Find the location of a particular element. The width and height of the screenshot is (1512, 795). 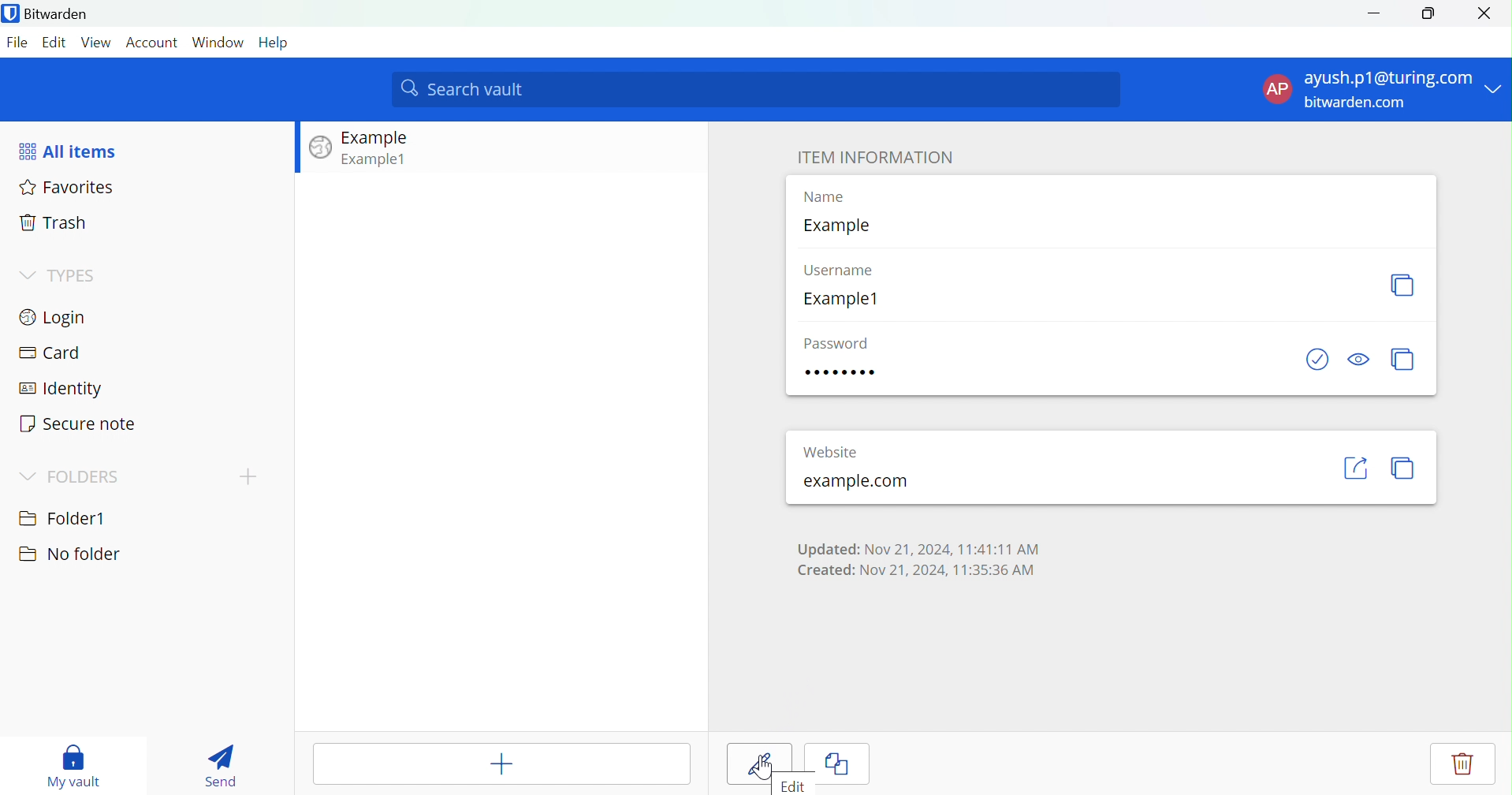

Username is located at coordinates (842, 271).